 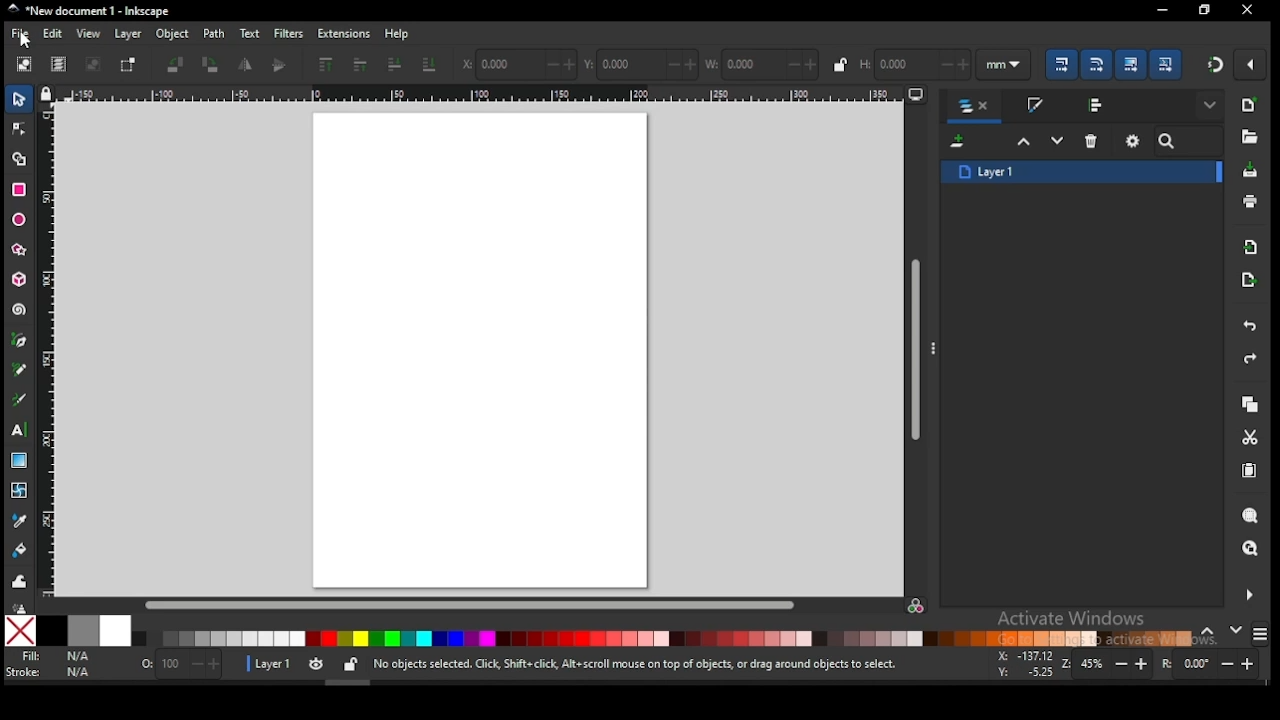 I want to click on open export, so click(x=1248, y=279).